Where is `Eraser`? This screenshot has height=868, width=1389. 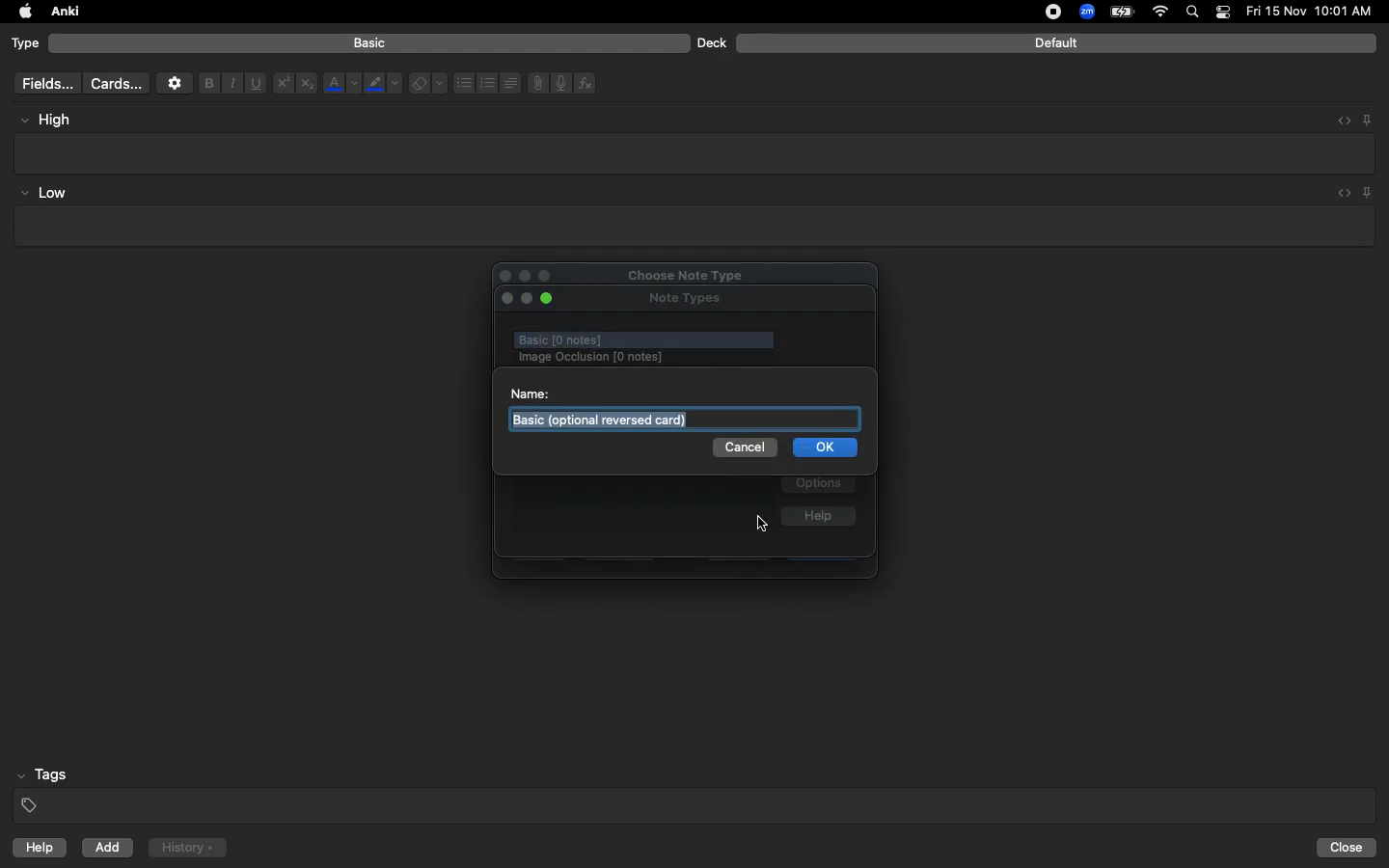
Eraser is located at coordinates (427, 84).